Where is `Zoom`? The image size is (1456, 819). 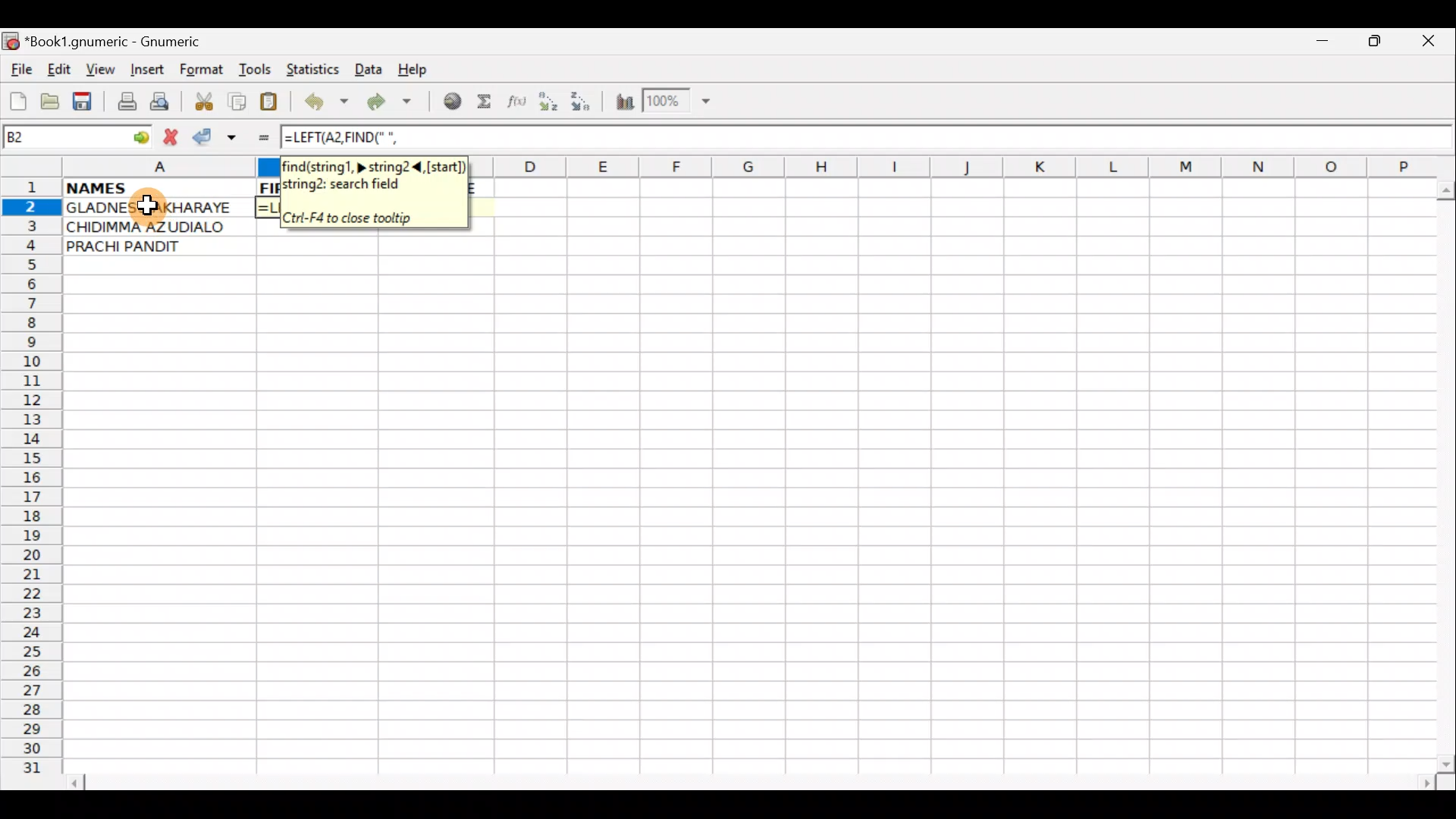
Zoom is located at coordinates (679, 103).